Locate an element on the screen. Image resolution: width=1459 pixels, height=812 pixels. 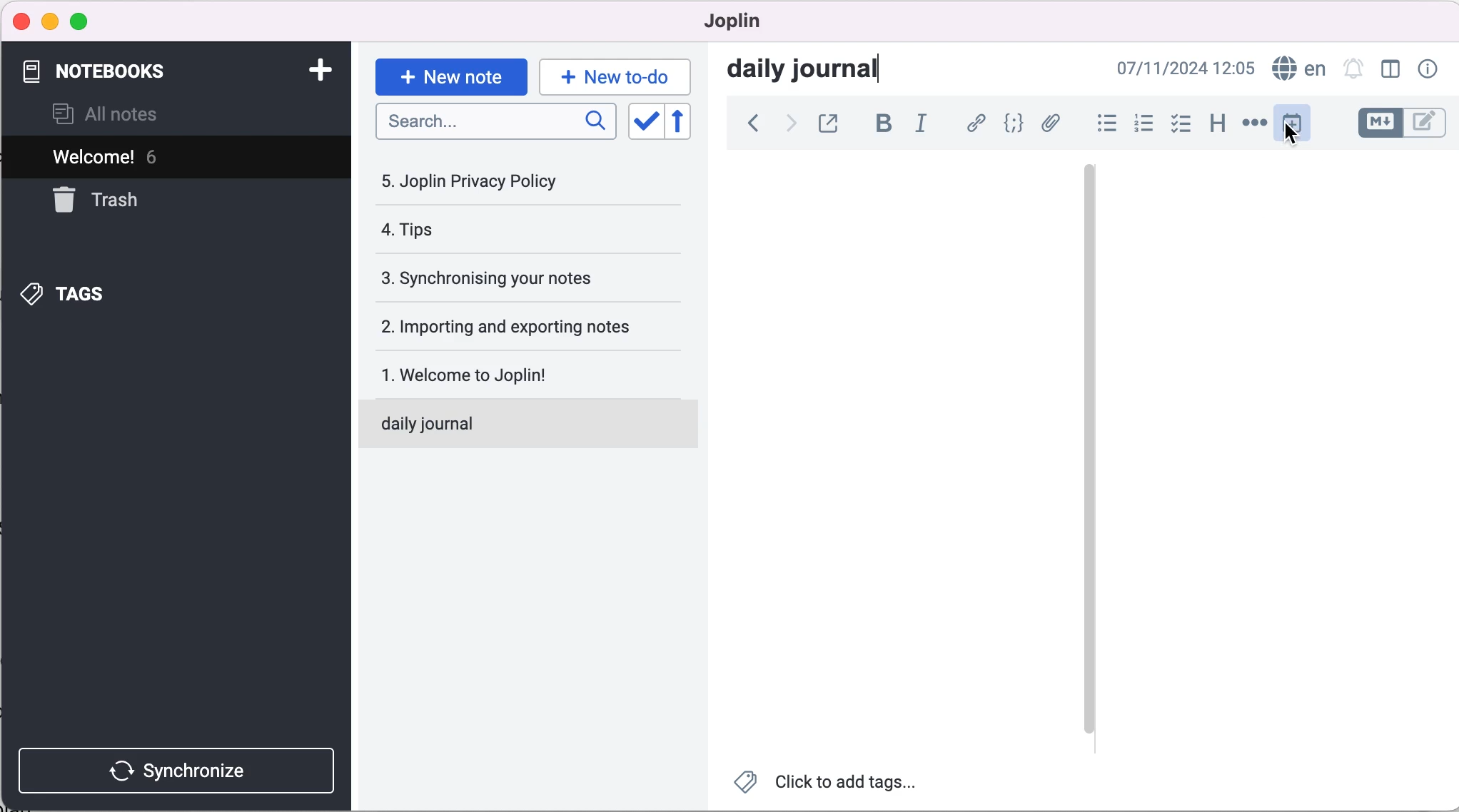
new note is located at coordinates (450, 71).